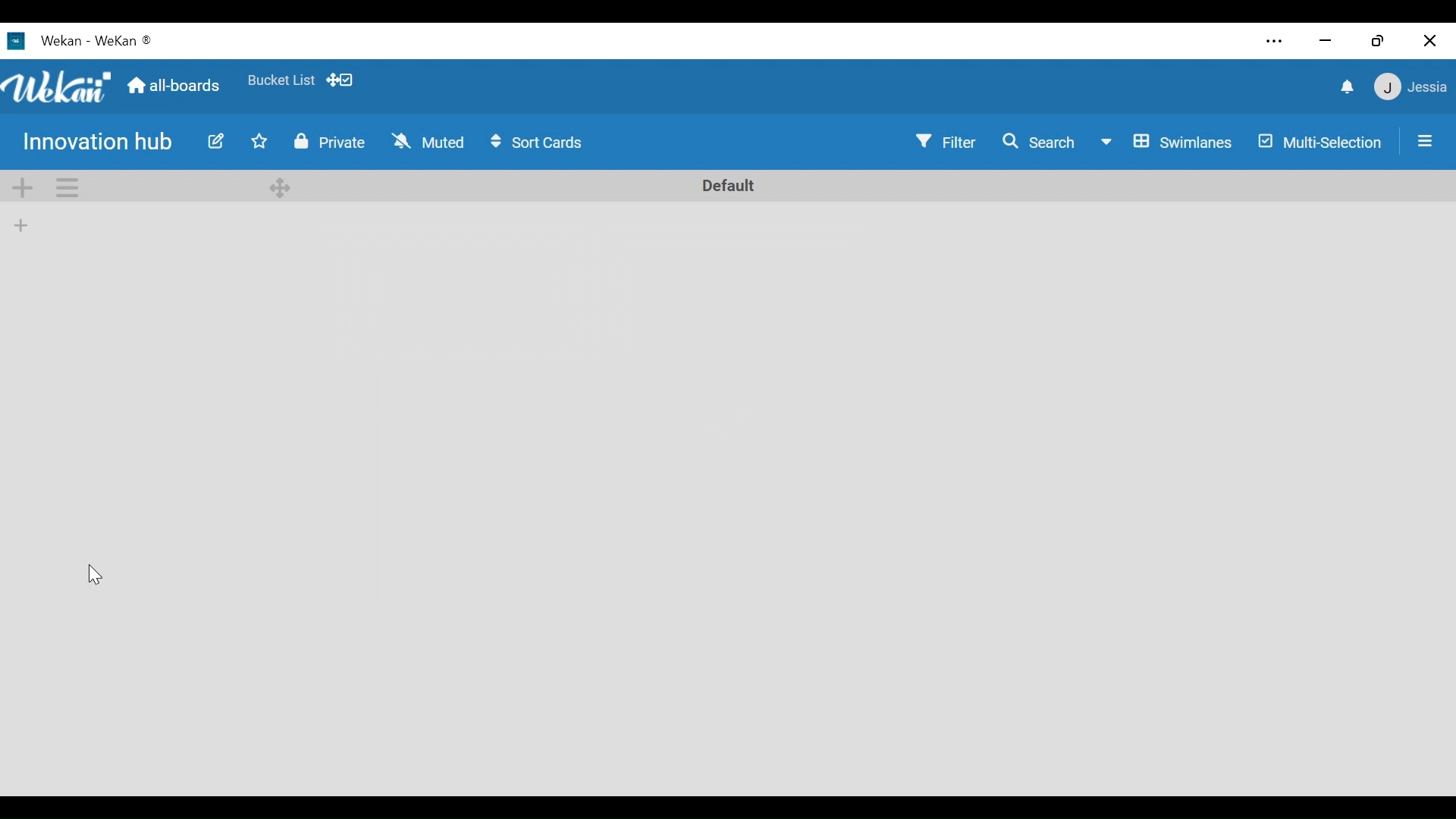  Describe the element at coordinates (948, 143) in the screenshot. I see `Filter` at that location.